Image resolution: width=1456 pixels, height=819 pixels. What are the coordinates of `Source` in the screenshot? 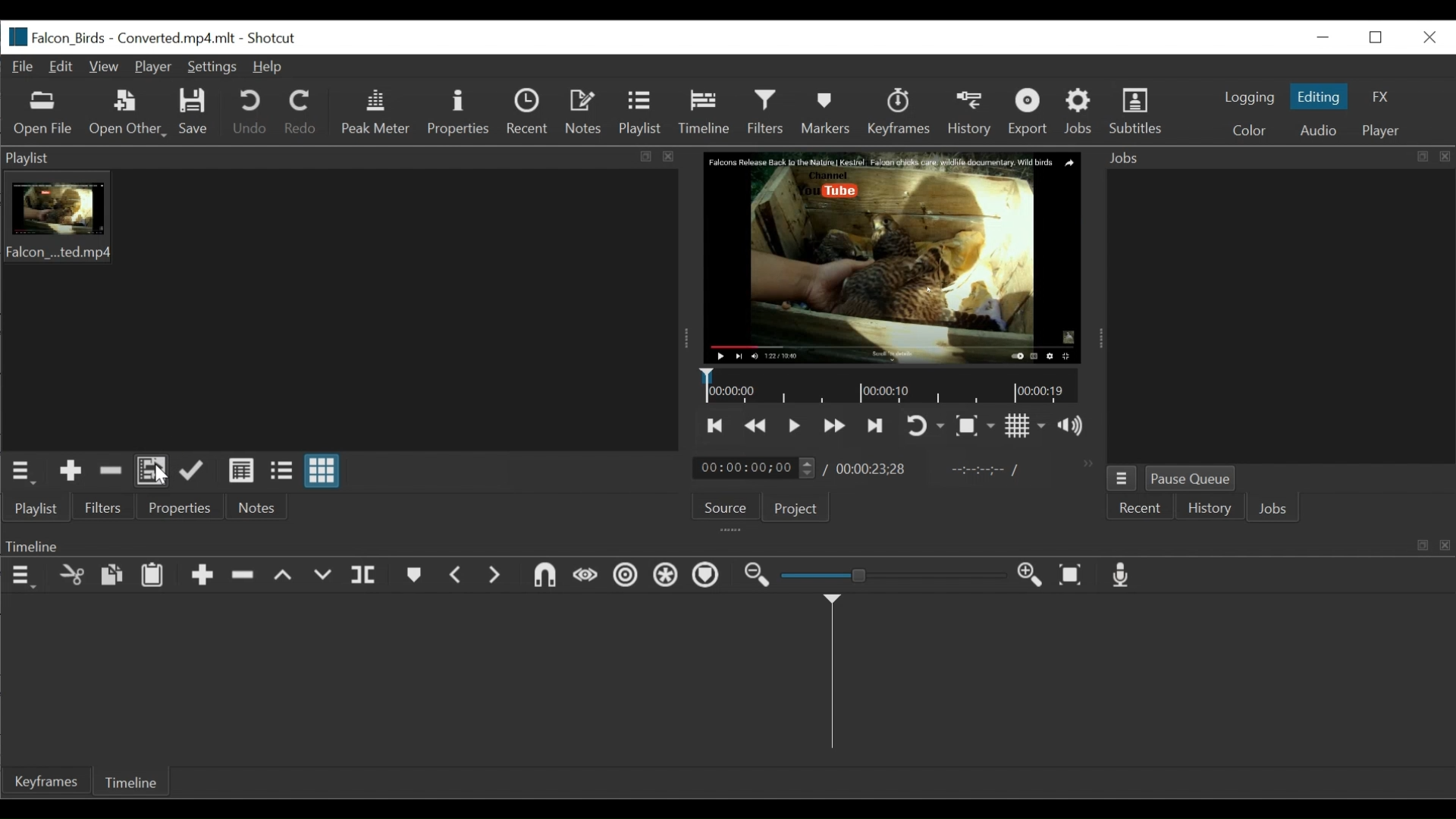 It's located at (726, 507).